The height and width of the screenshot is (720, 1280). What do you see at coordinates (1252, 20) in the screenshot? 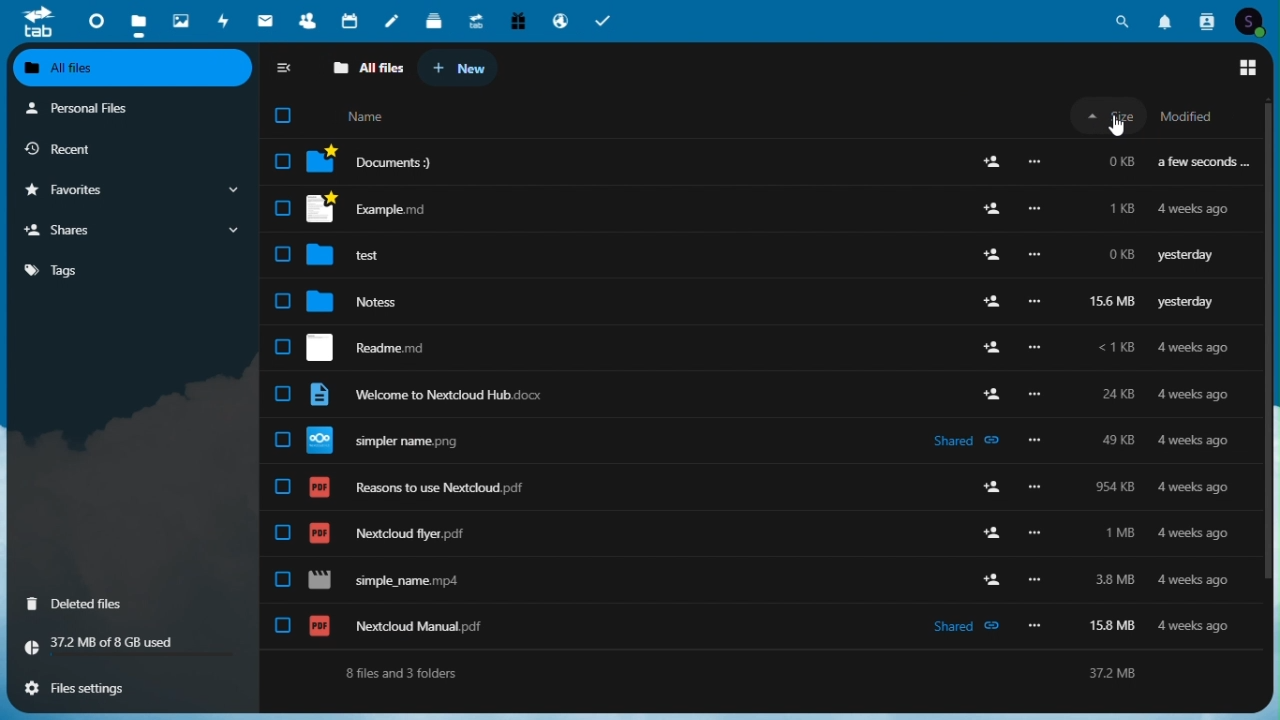
I see `Account icon` at bounding box center [1252, 20].